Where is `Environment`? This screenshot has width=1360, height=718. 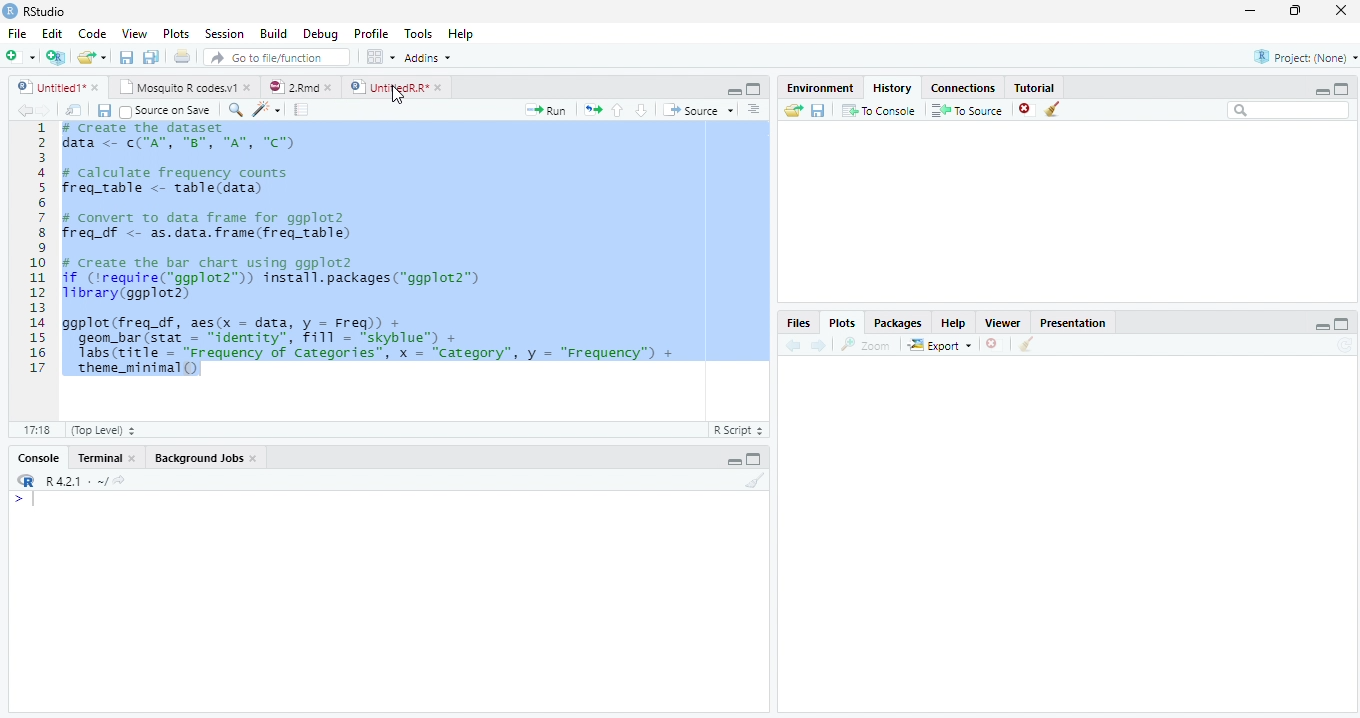 Environment is located at coordinates (818, 88).